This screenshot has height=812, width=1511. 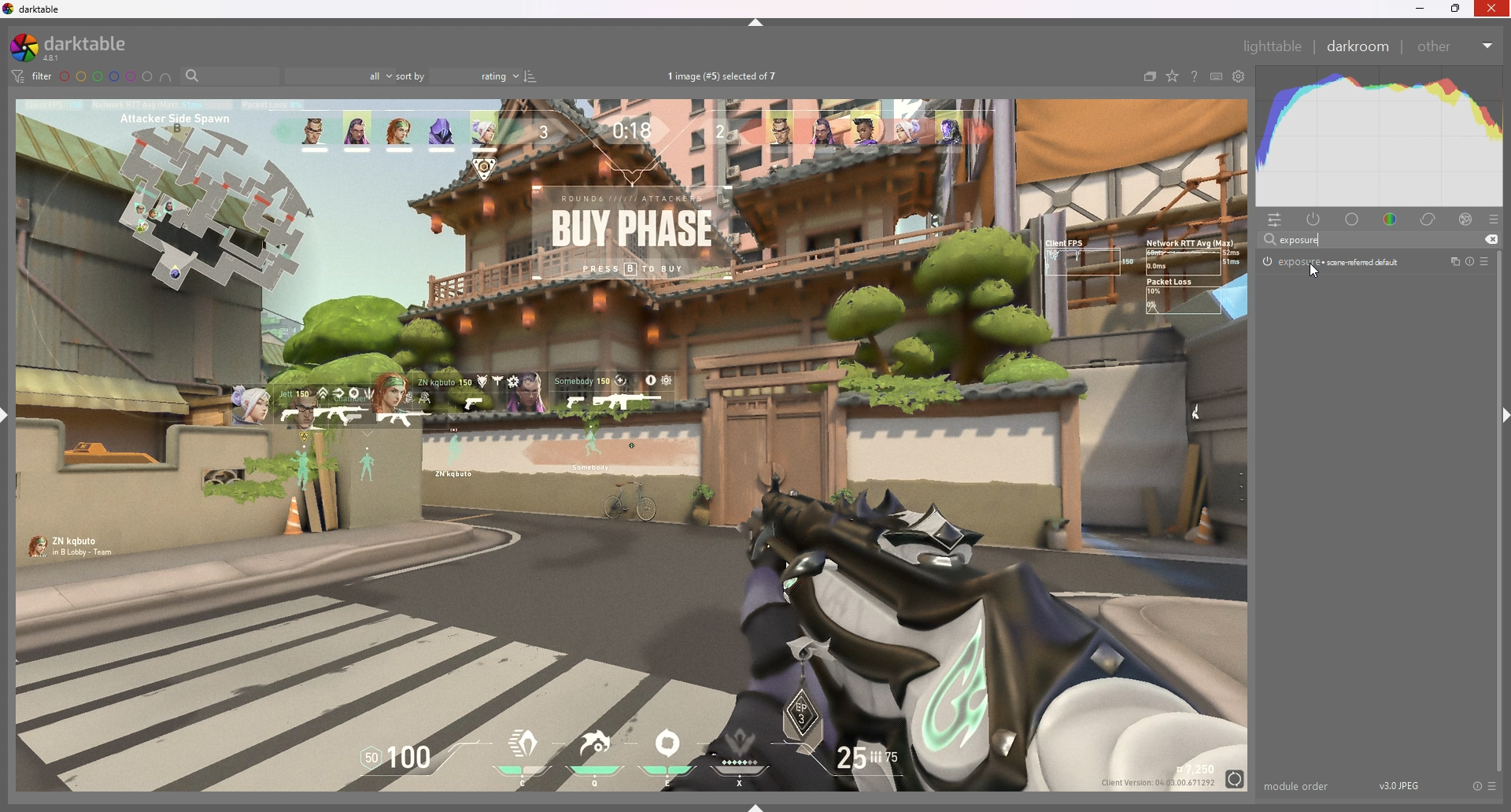 I want to click on change type of overlays, so click(x=1173, y=76).